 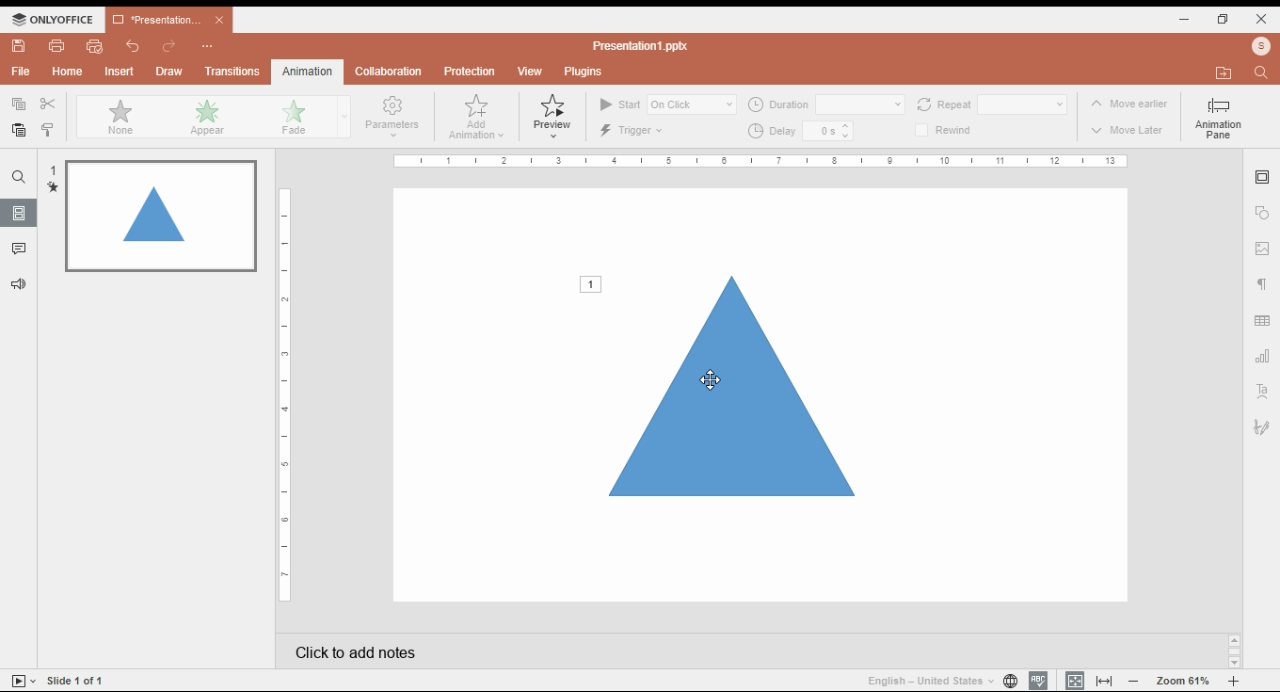 What do you see at coordinates (1262, 429) in the screenshot?
I see `` at bounding box center [1262, 429].